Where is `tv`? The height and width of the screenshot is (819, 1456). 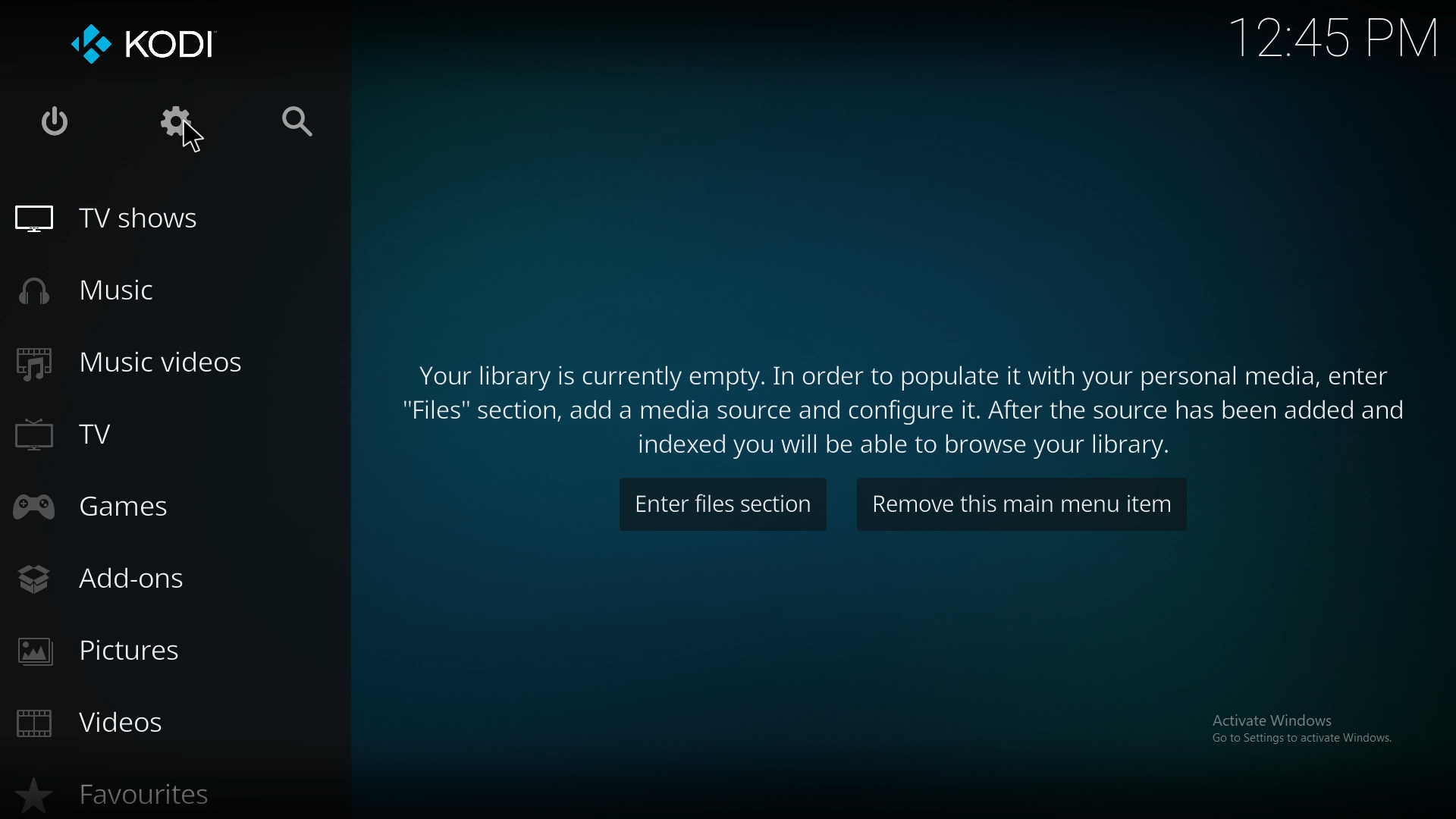
tv is located at coordinates (111, 432).